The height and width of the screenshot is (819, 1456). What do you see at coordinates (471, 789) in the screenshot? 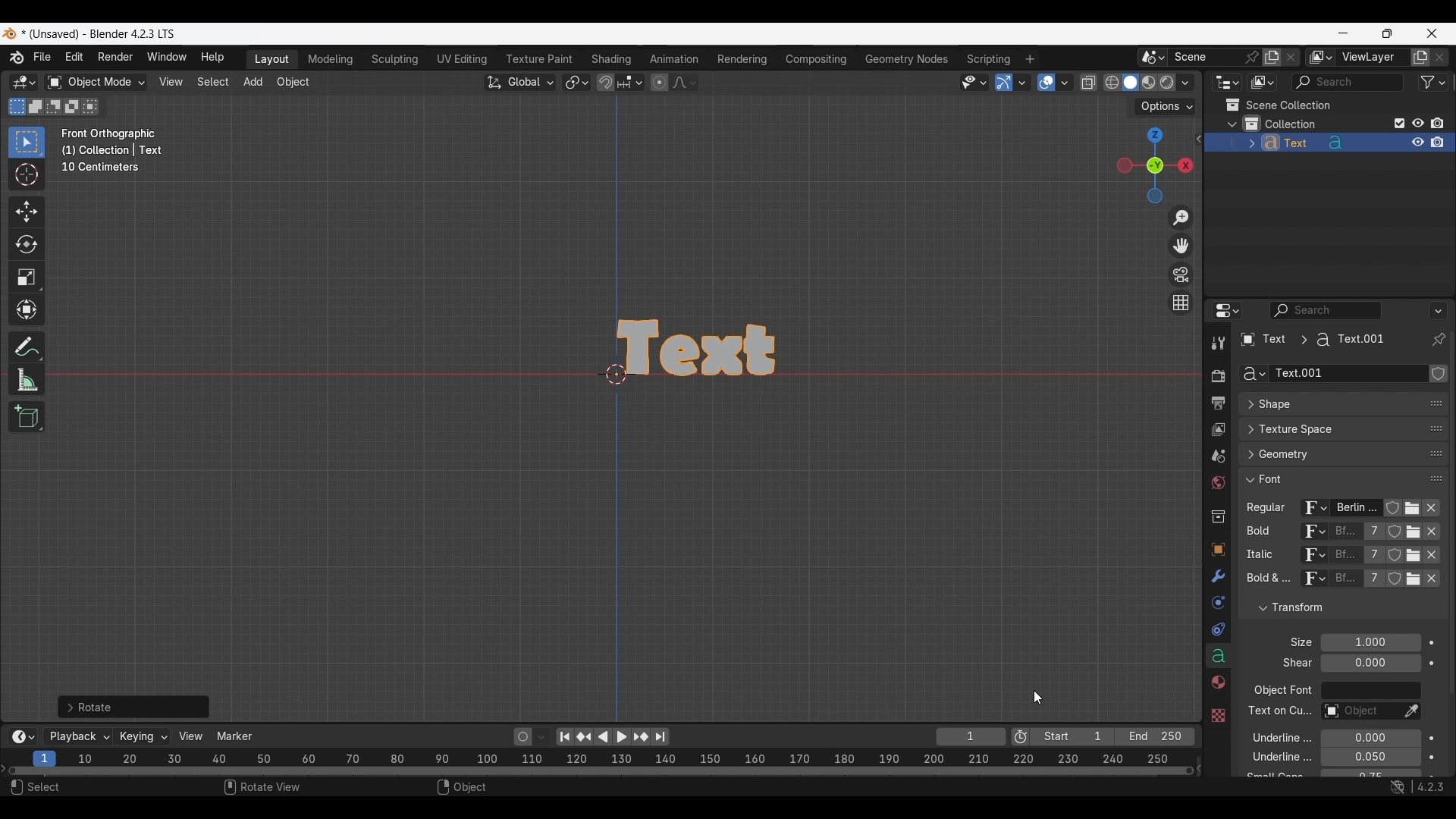
I see `content menu` at bounding box center [471, 789].